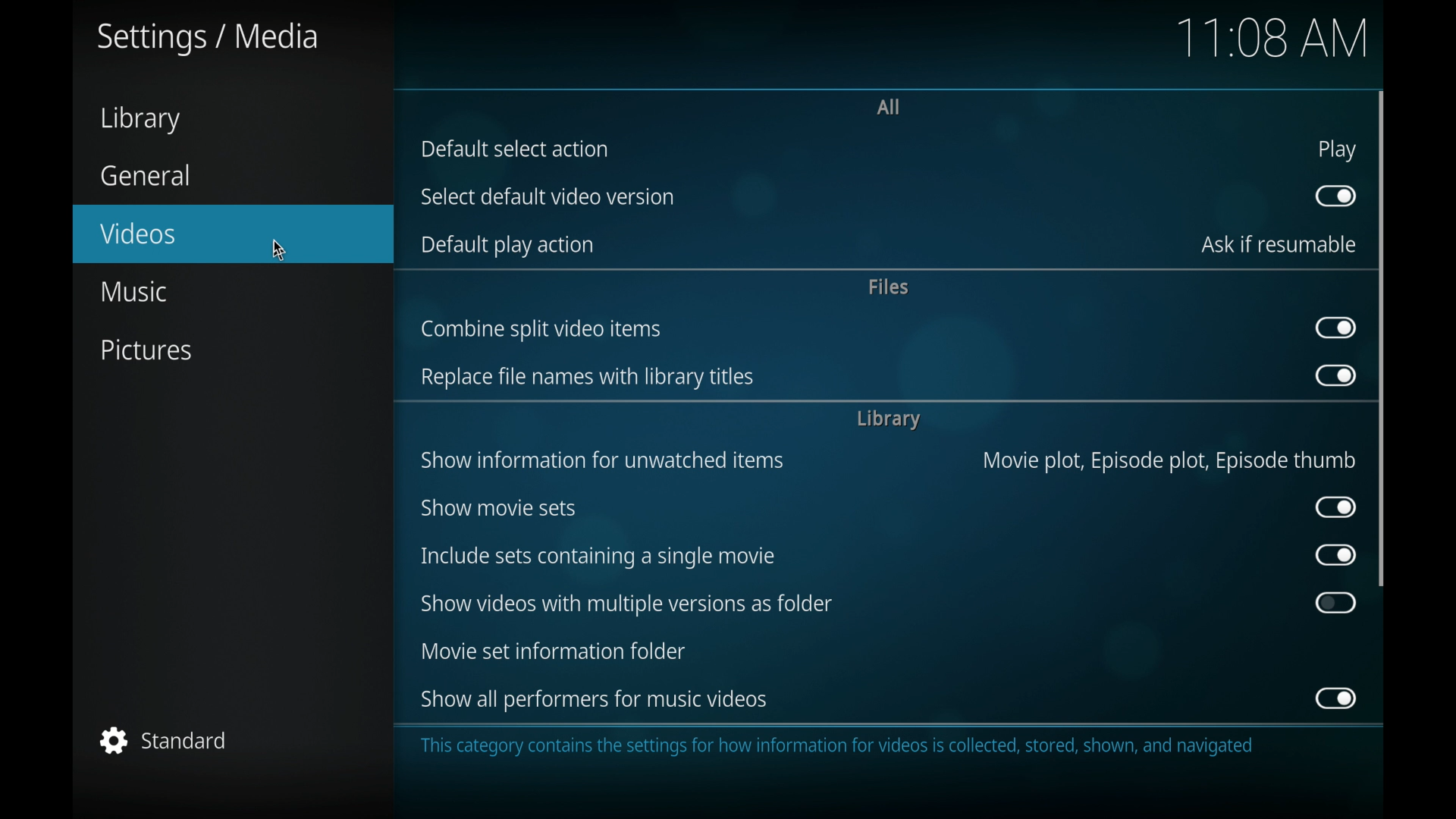 This screenshot has width=1456, height=819. What do you see at coordinates (1336, 507) in the screenshot?
I see `toggle button` at bounding box center [1336, 507].